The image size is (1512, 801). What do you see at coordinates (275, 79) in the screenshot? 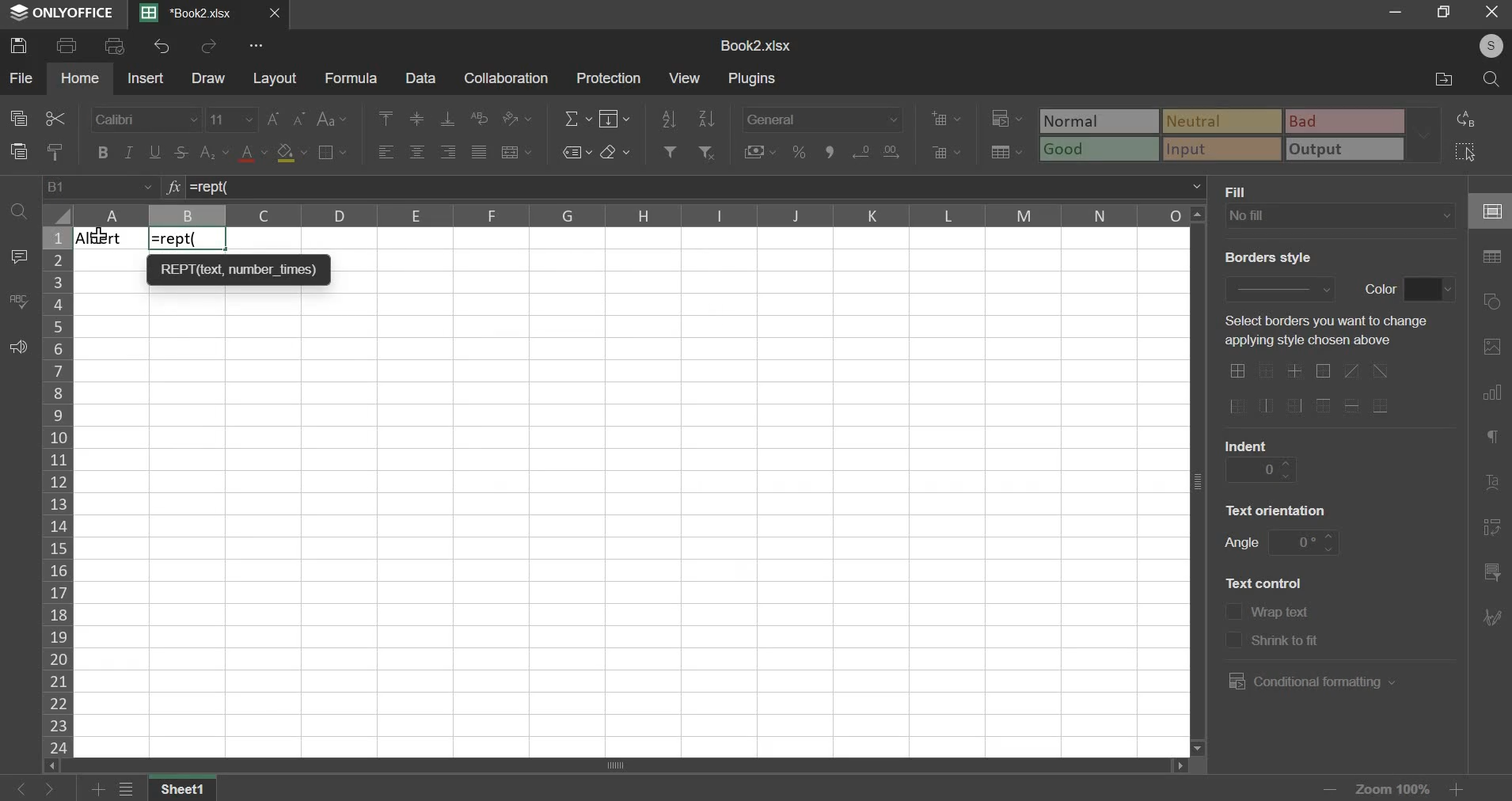
I see `layout` at bounding box center [275, 79].